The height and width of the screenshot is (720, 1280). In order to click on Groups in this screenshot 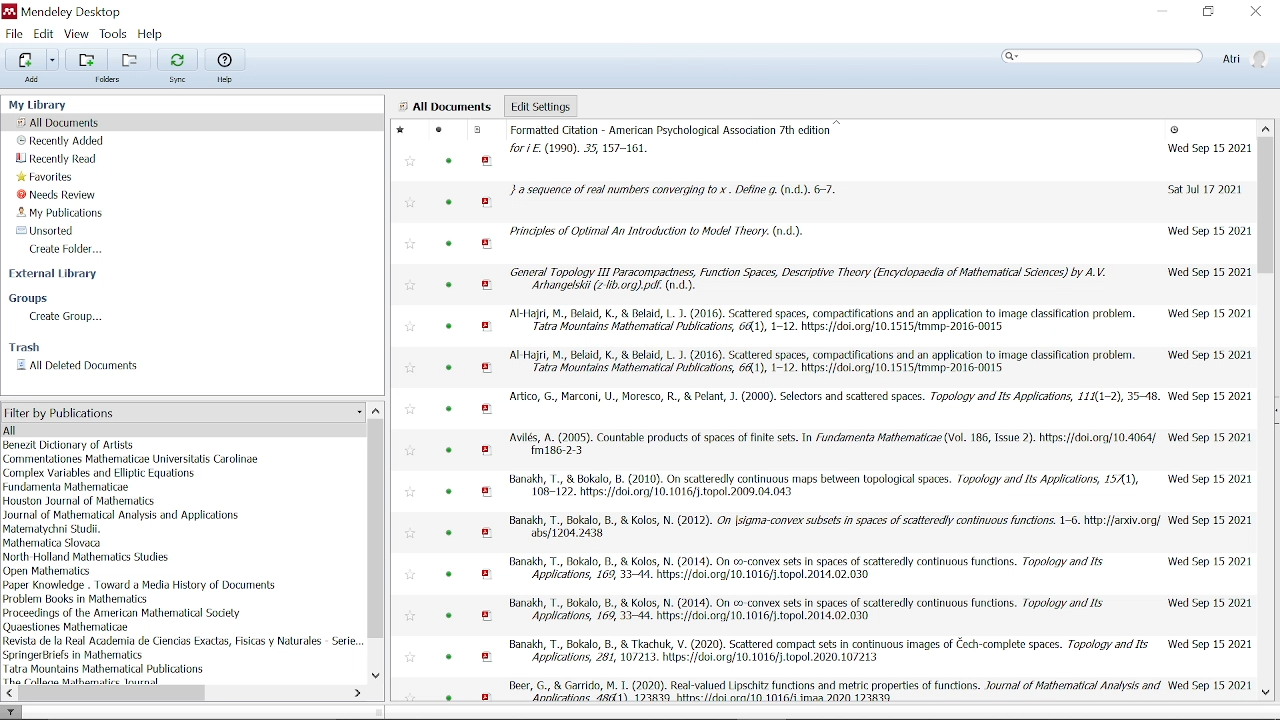, I will do `click(33, 299)`.